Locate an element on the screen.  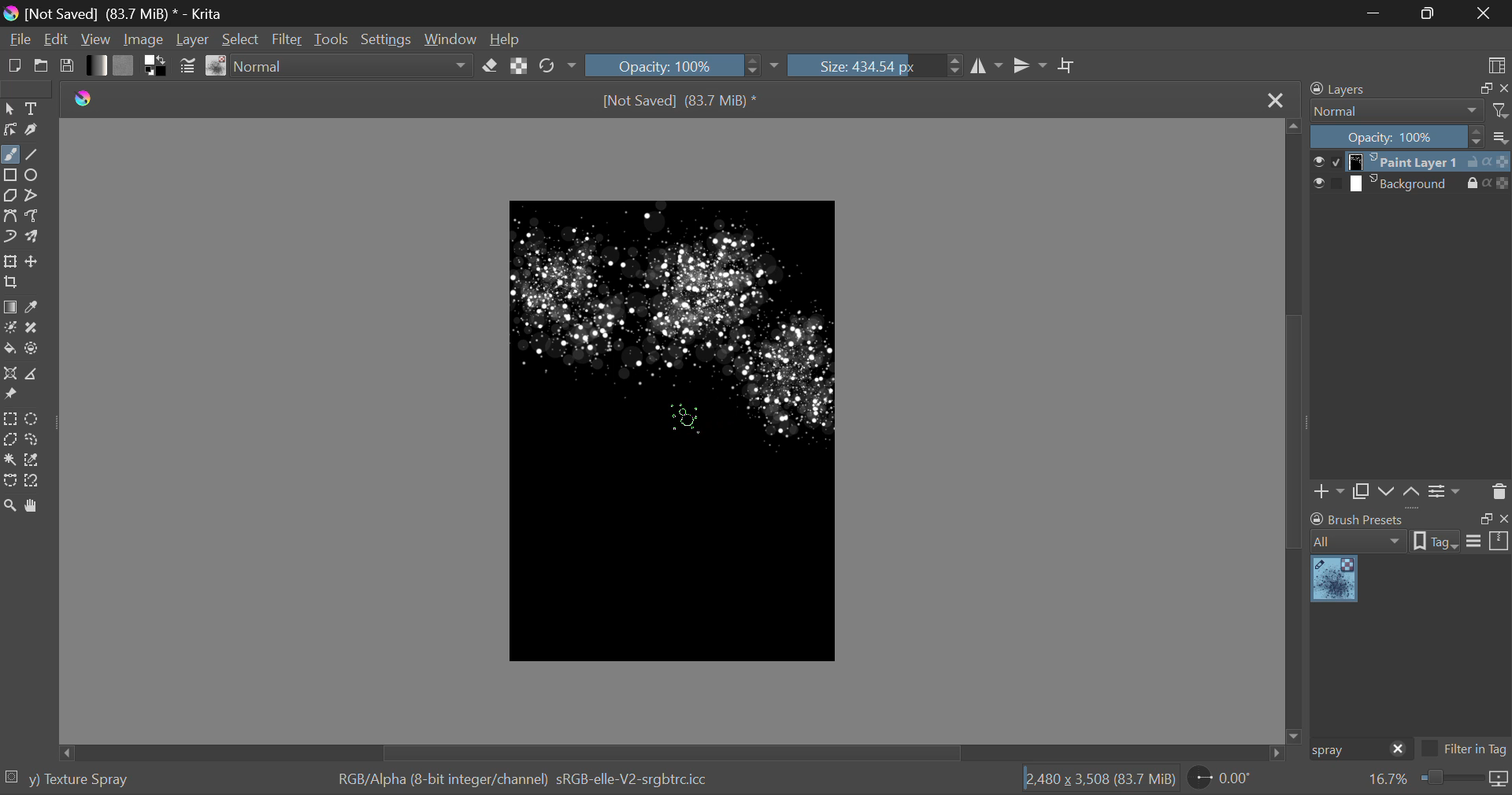
normal is located at coordinates (1397, 111).